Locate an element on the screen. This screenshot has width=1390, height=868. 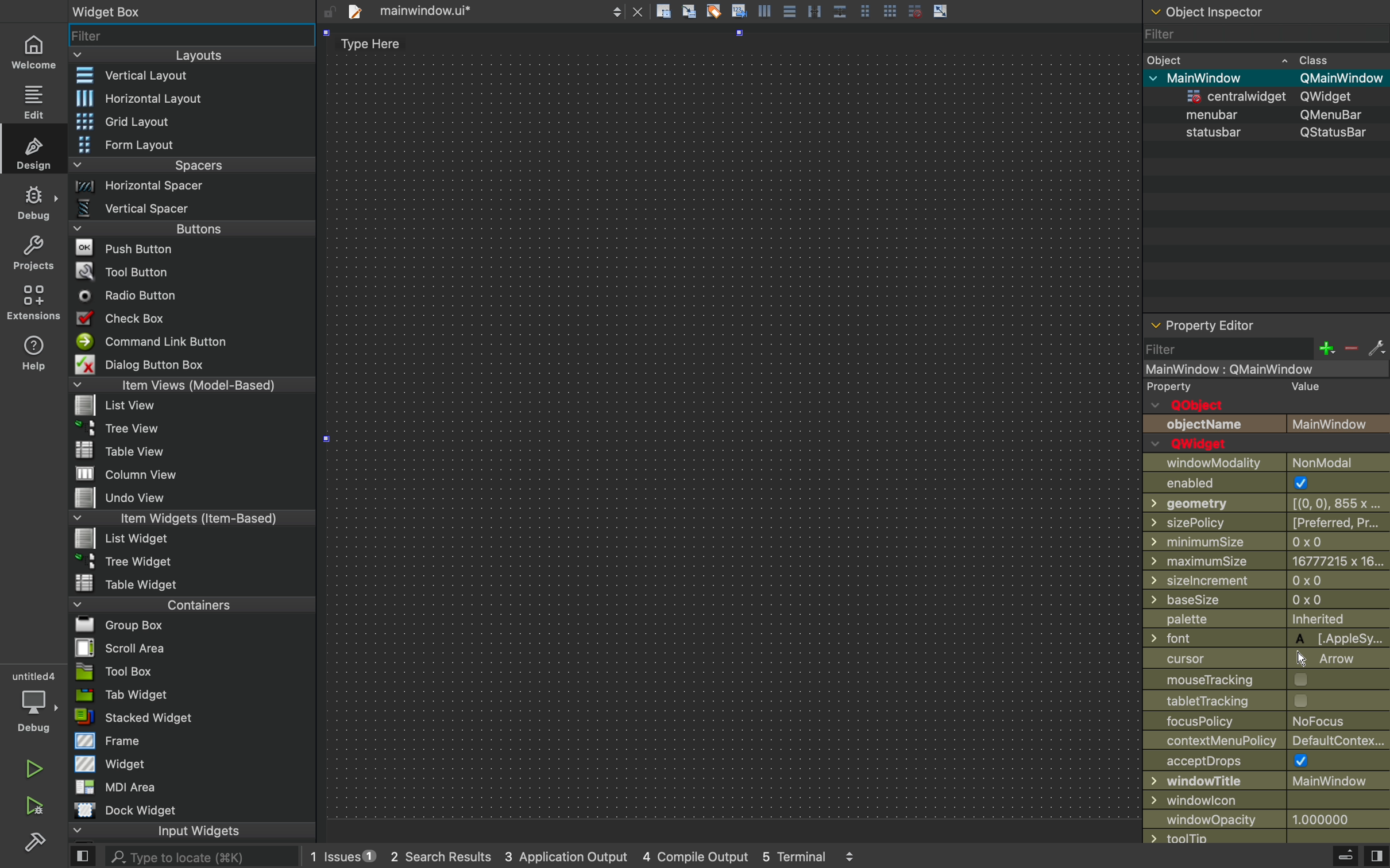
tab widget is located at coordinates (191, 696).